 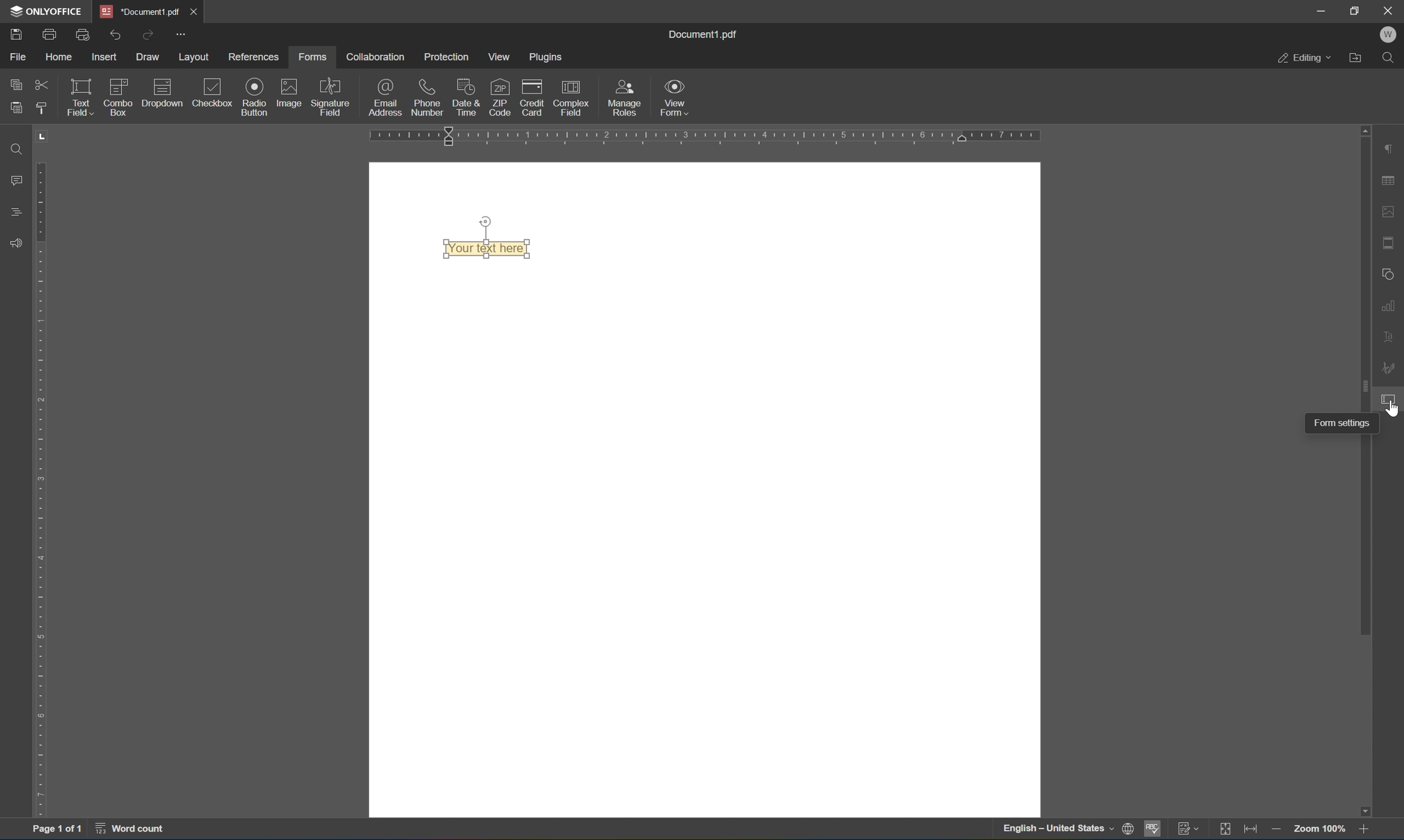 What do you see at coordinates (254, 57) in the screenshot?
I see `references` at bounding box center [254, 57].